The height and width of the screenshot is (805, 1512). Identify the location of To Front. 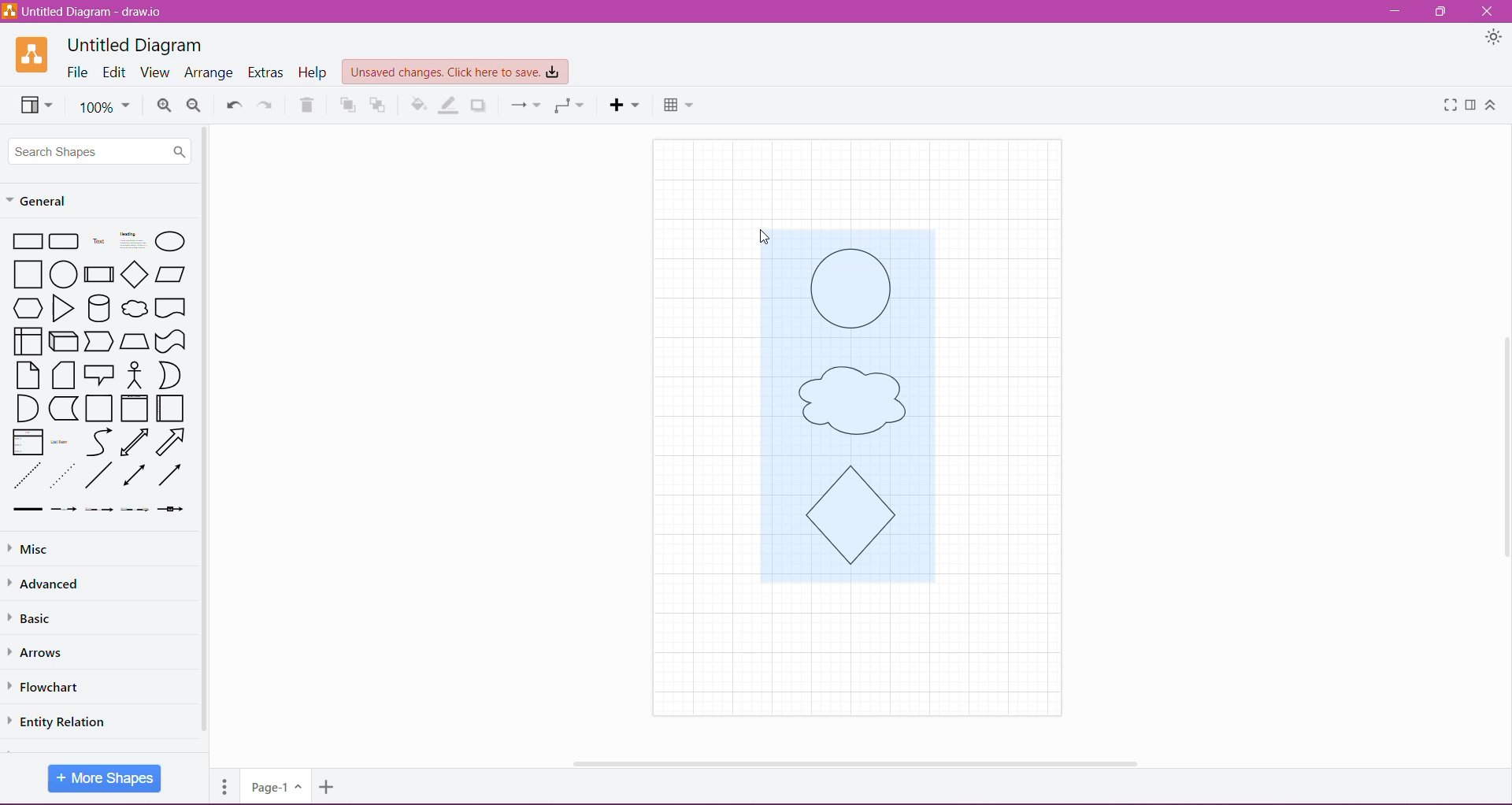
(345, 106).